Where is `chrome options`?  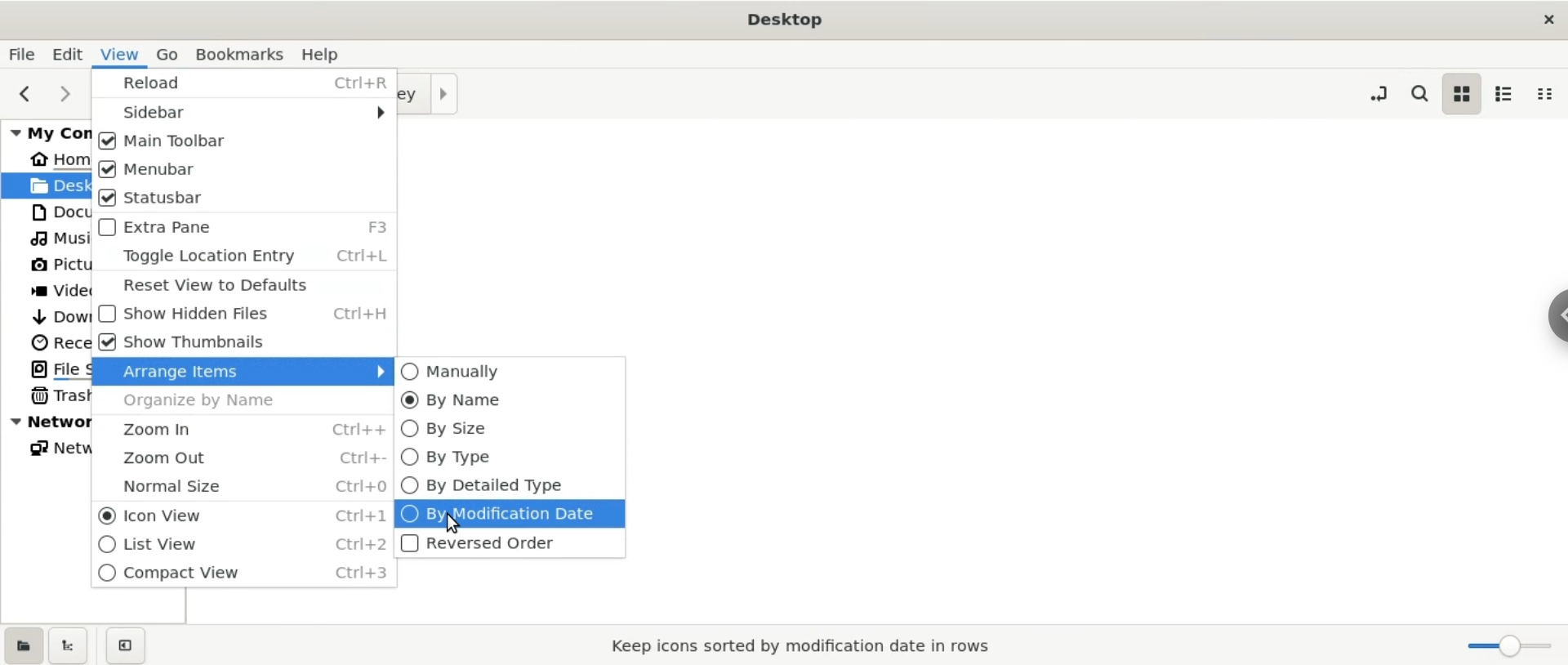 chrome options is located at coordinates (1555, 316).